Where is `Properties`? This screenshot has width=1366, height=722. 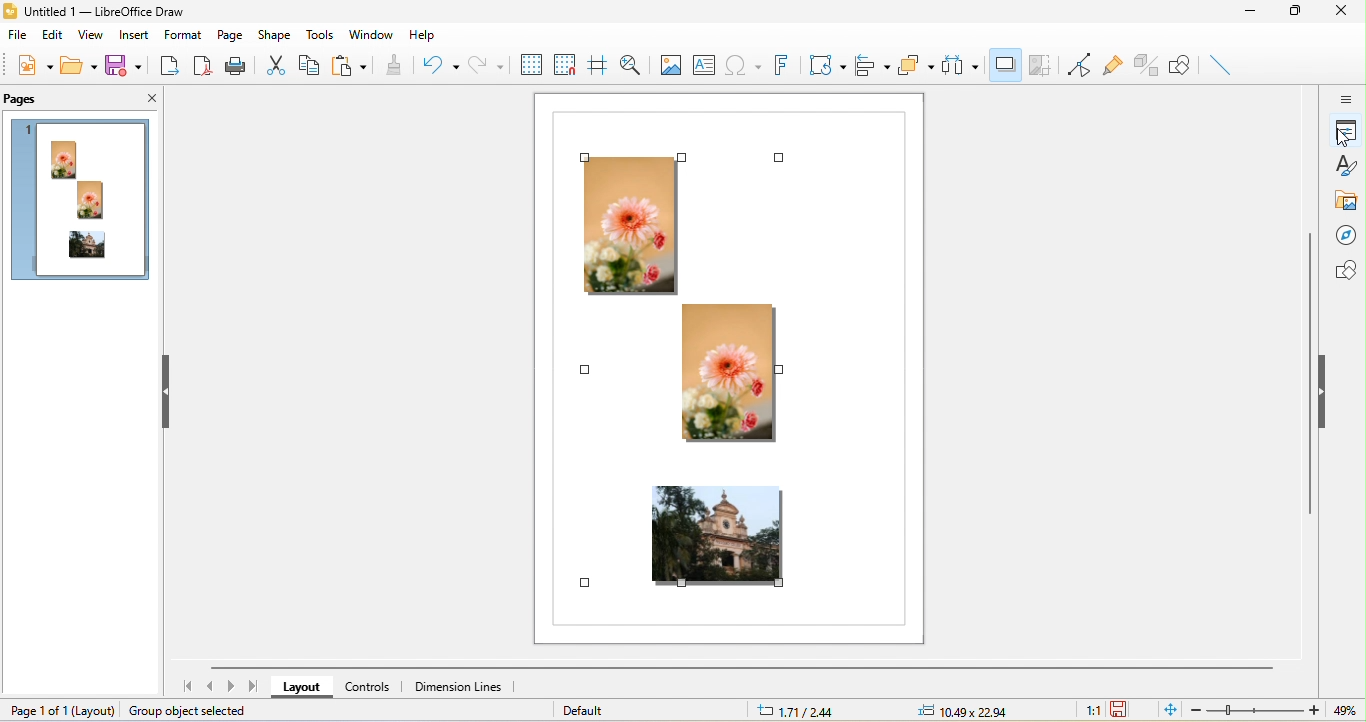 Properties is located at coordinates (1347, 132).